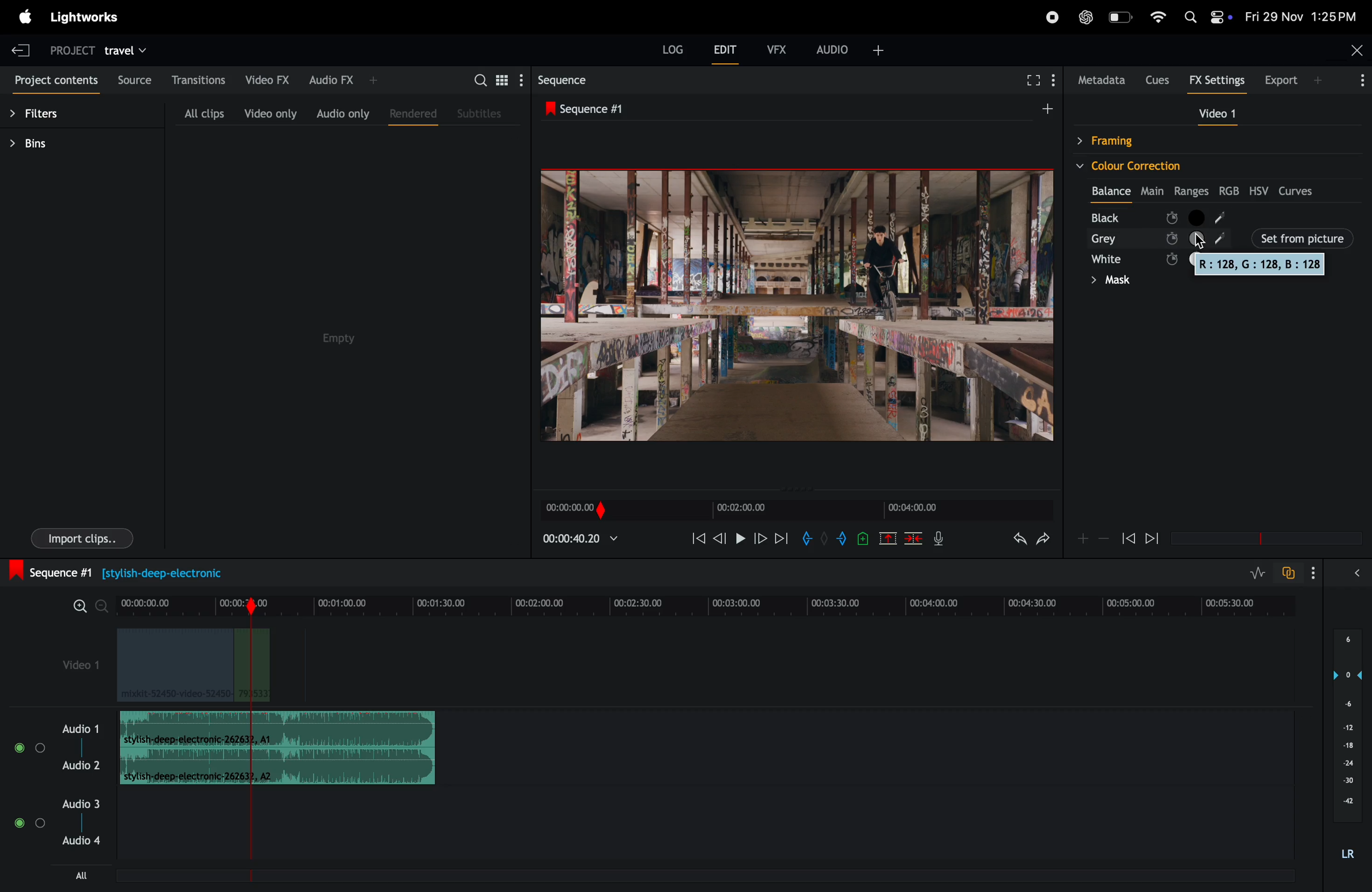  What do you see at coordinates (1296, 80) in the screenshot?
I see `export` at bounding box center [1296, 80].